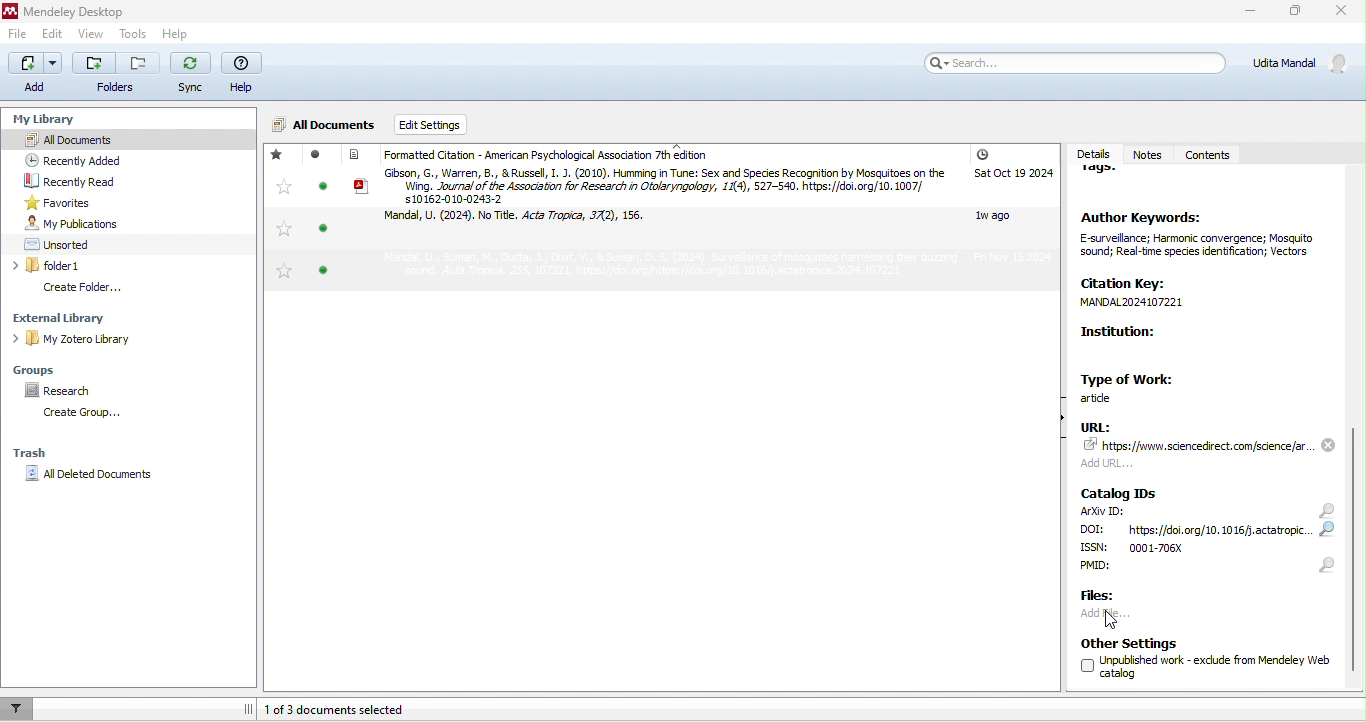 The image size is (1366, 722). What do you see at coordinates (86, 414) in the screenshot?
I see `create group` at bounding box center [86, 414].